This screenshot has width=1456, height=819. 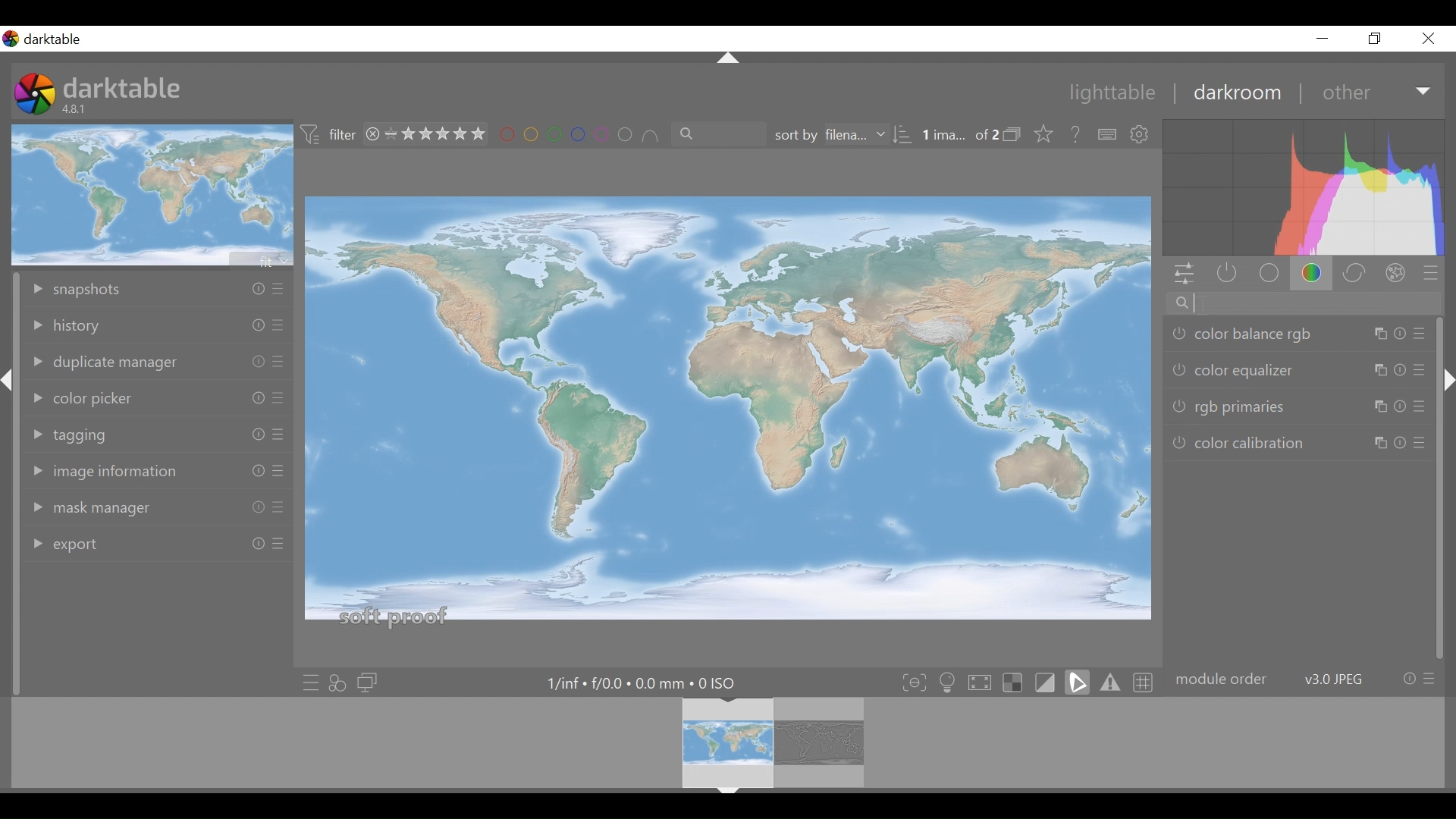 I want to click on effect, so click(x=1396, y=274).